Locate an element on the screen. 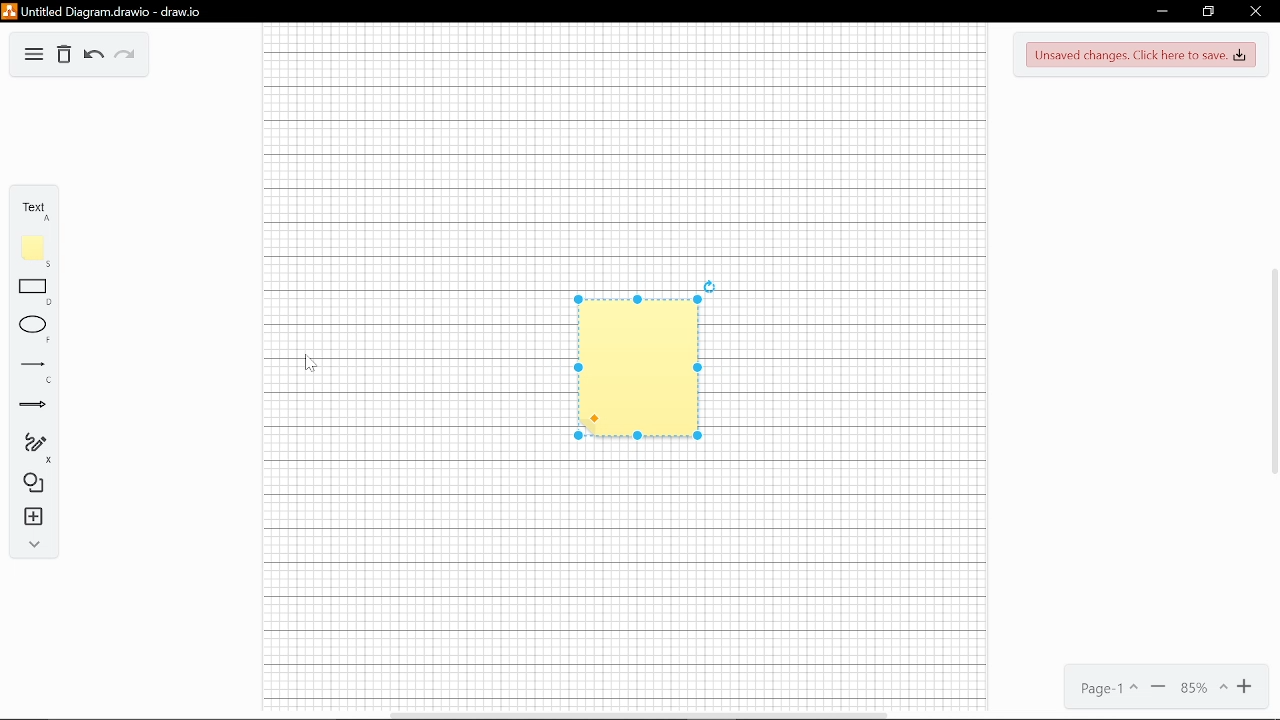  Minimize is located at coordinates (1160, 13).